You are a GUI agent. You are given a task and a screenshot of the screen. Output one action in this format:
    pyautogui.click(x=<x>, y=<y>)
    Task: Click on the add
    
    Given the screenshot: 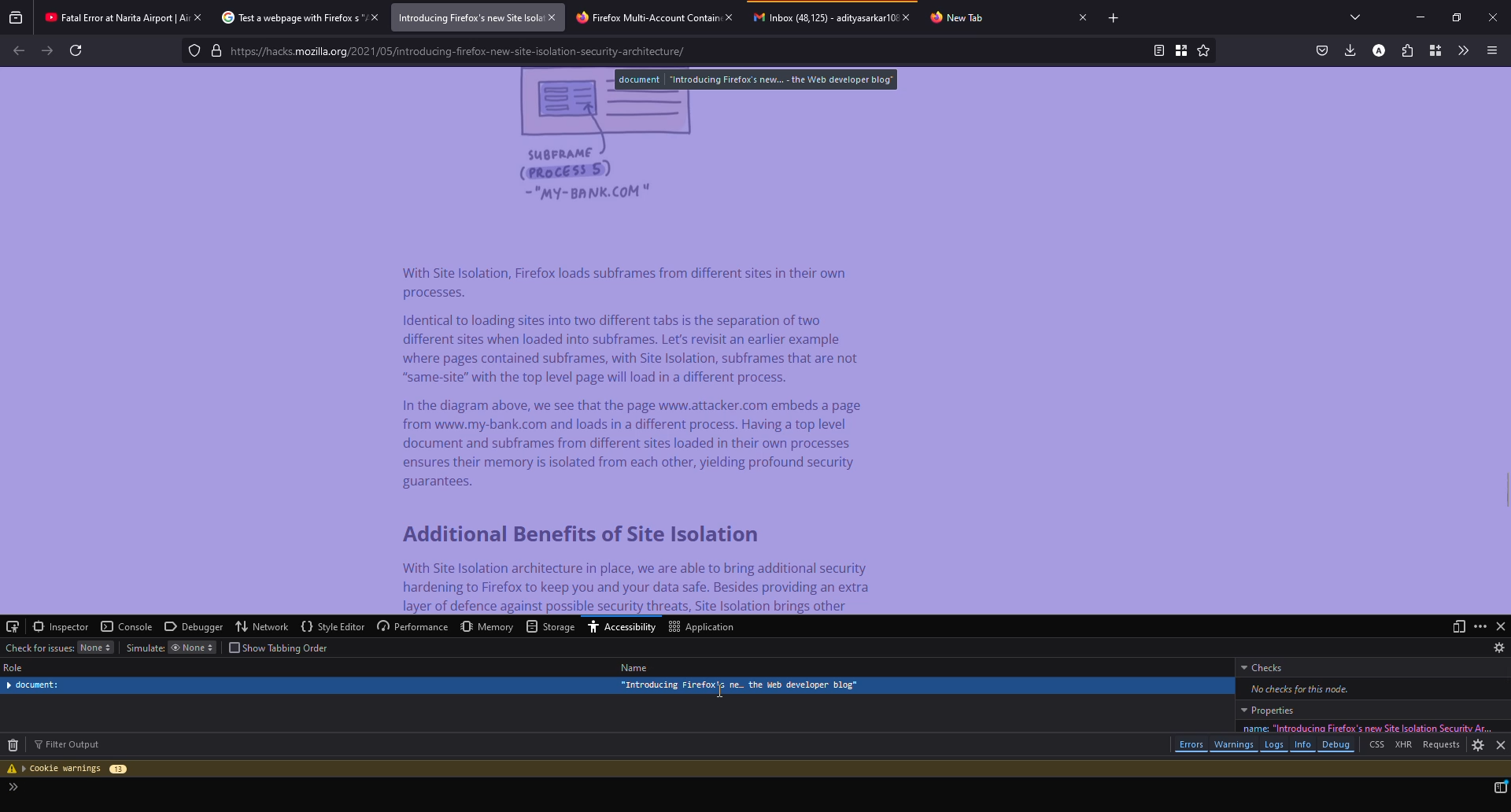 What is the action you would take?
    pyautogui.click(x=1115, y=19)
    